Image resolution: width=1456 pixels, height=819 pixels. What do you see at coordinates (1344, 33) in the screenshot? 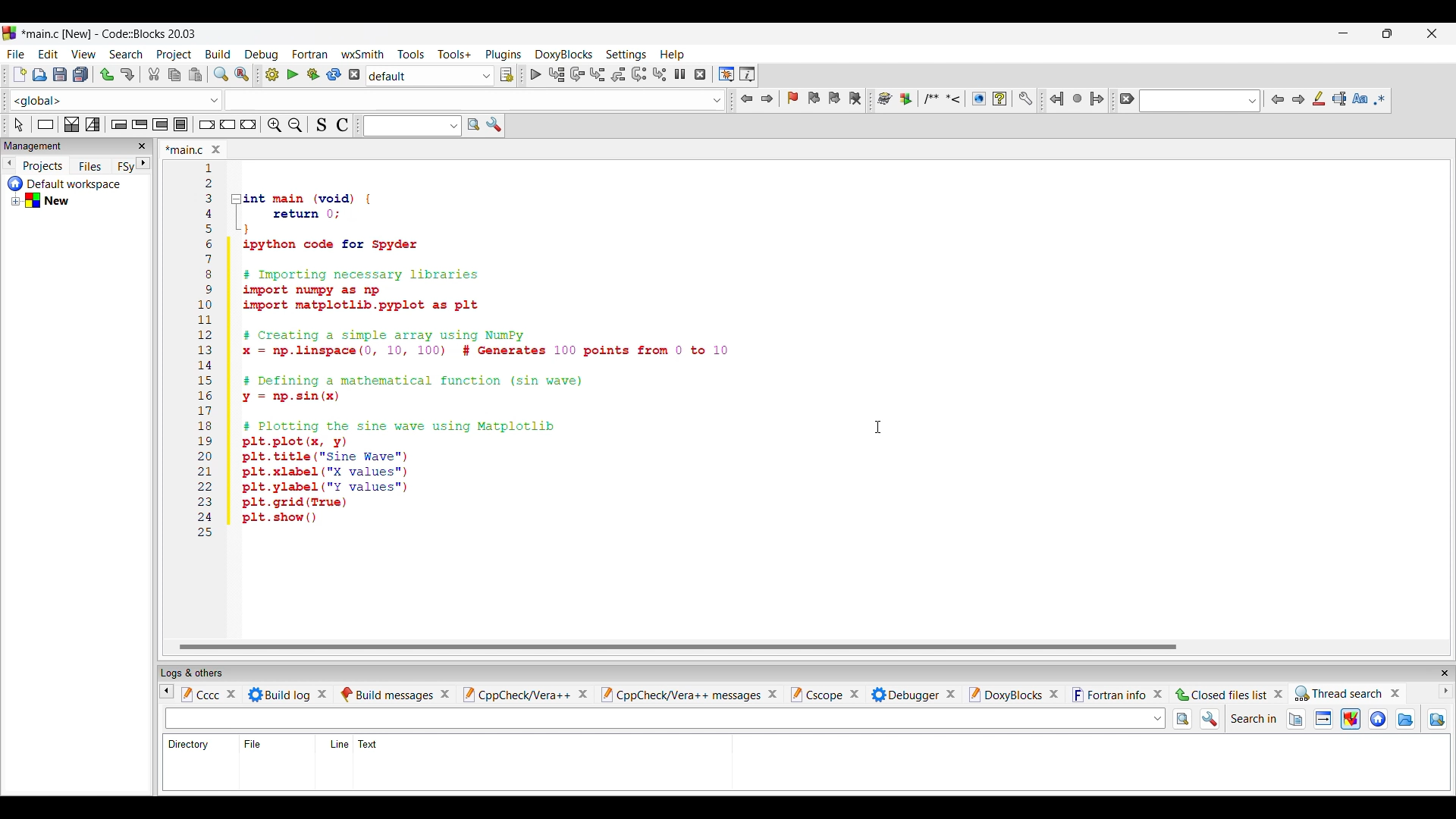
I see `Minimize` at bounding box center [1344, 33].